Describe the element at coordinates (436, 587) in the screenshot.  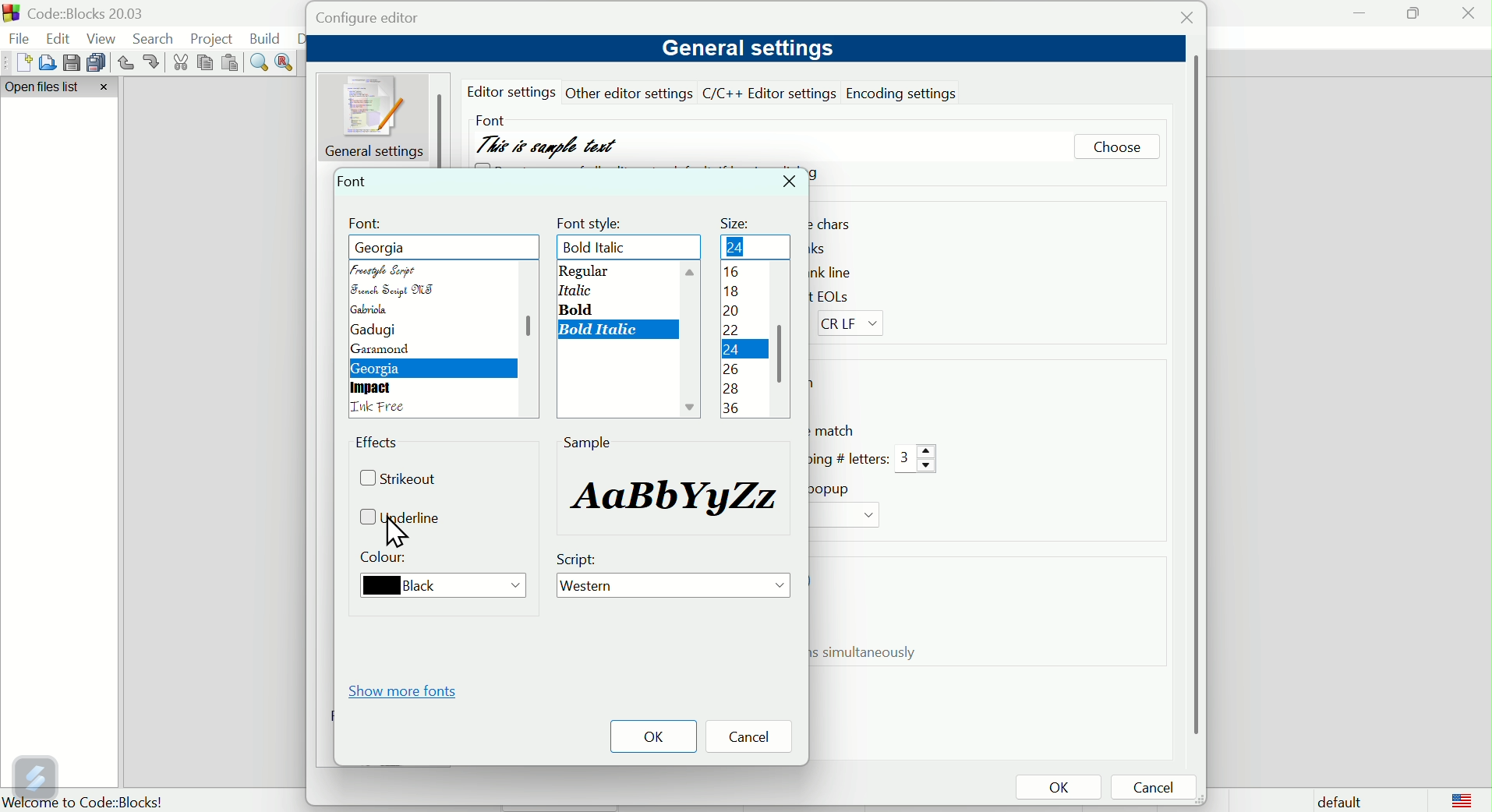
I see `Black` at that location.